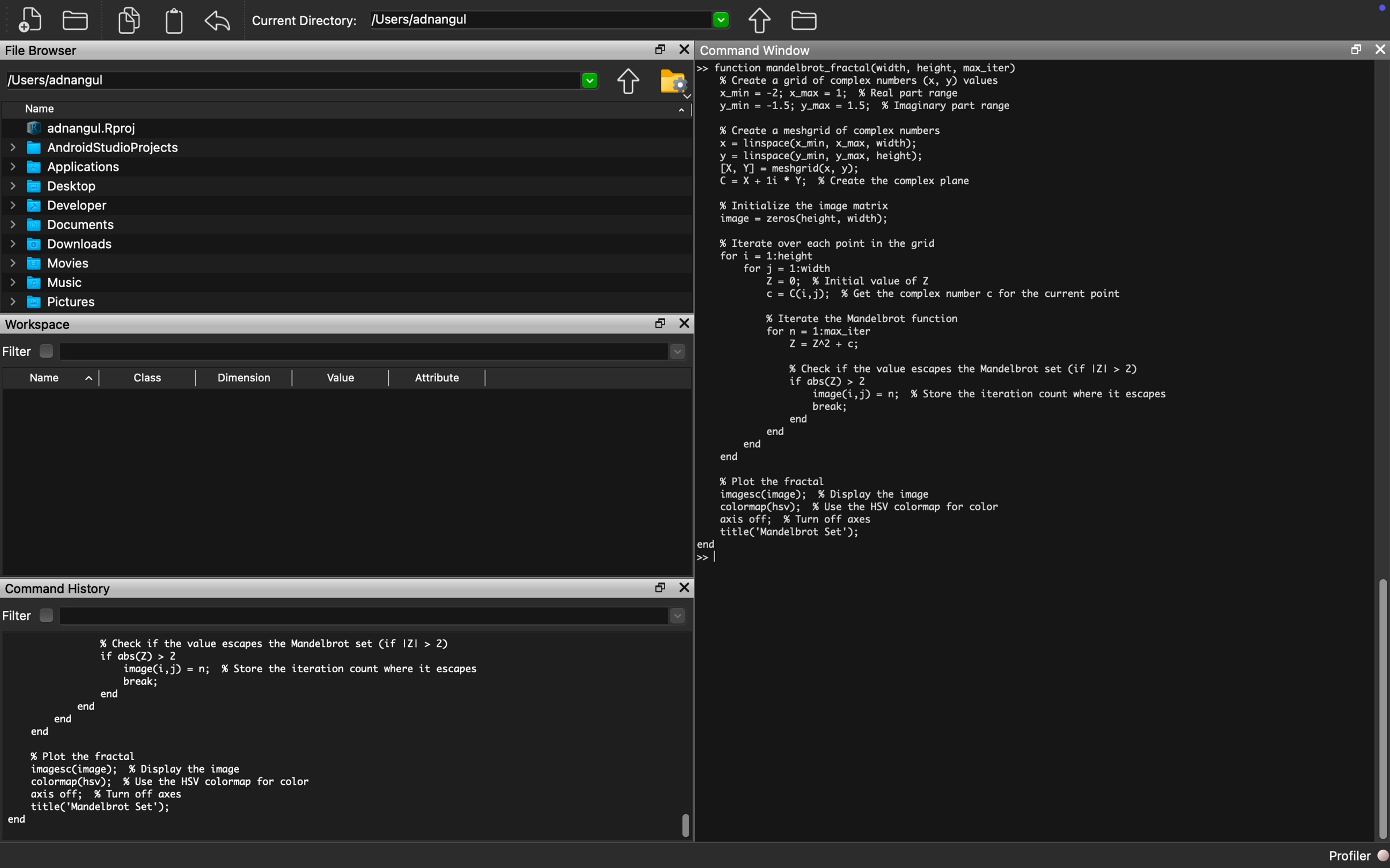  Describe the element at coordinates (175, 24) in the screenshot. I see `Clipboard` at that location.